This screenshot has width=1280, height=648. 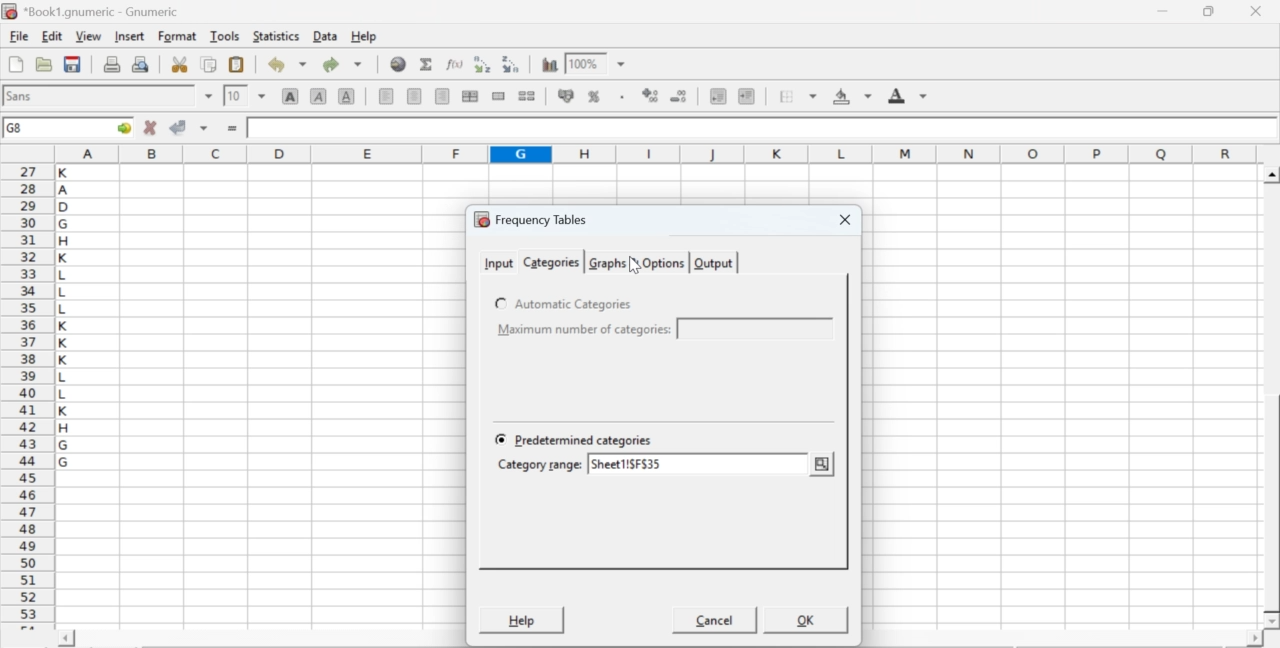 What do you see at coordinates (799, 96) in the screenshot?
I see `borders` at bounding box center [799, 96].